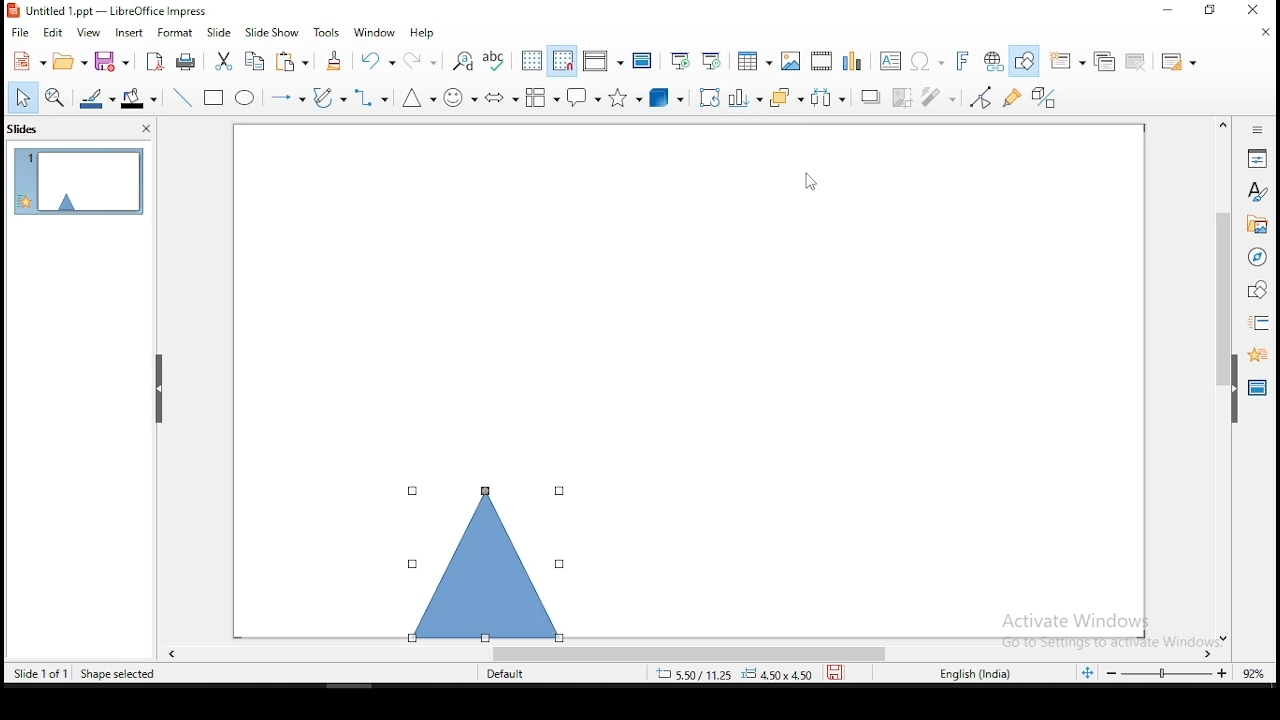 The image size is (1280, 720). I want to click on special characters, so click(925, 61).